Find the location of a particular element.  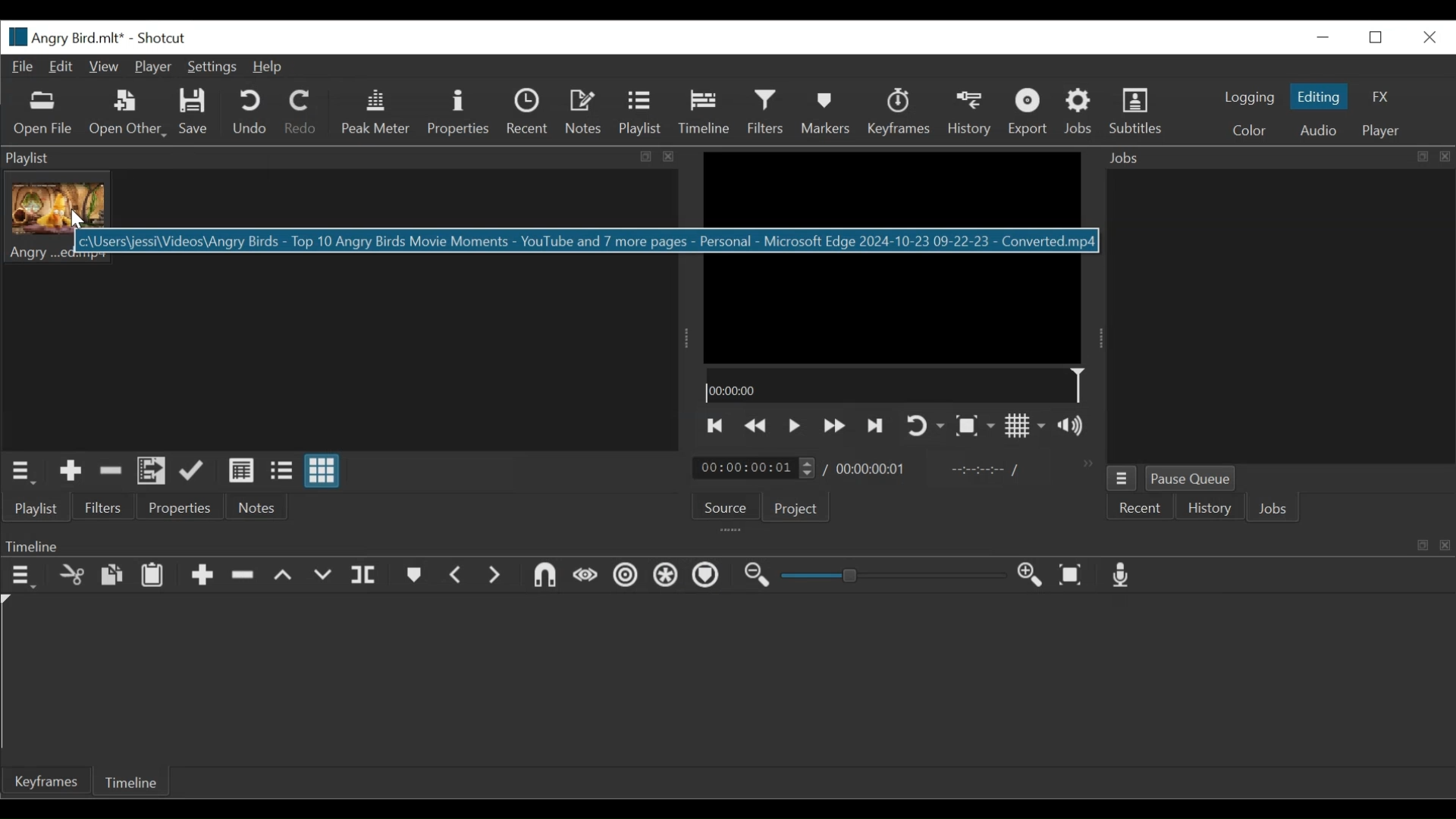

Zoom timeline to fit is located at coordinates (1072, 576).